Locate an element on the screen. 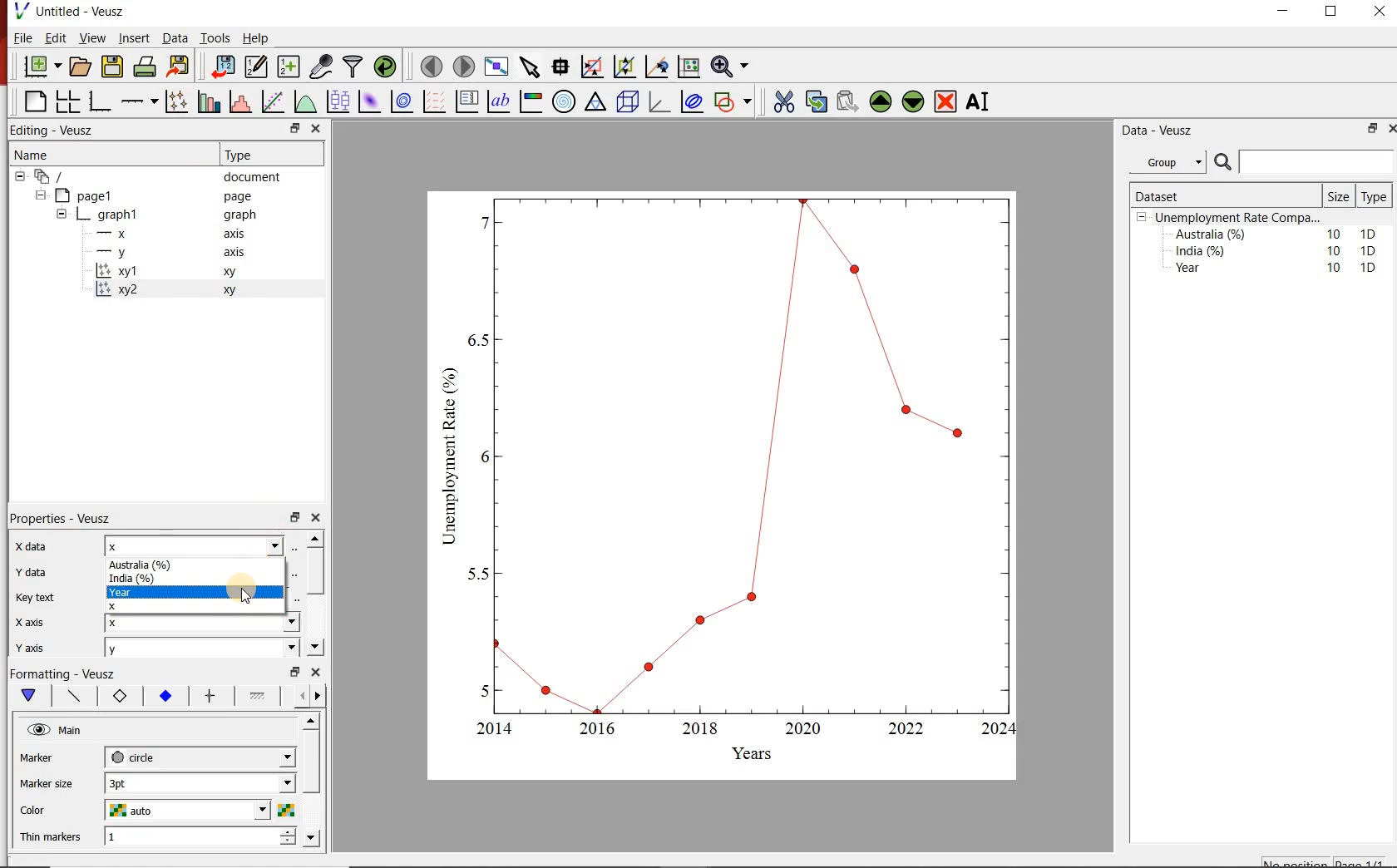  y data is located at coordinates (36, 572).